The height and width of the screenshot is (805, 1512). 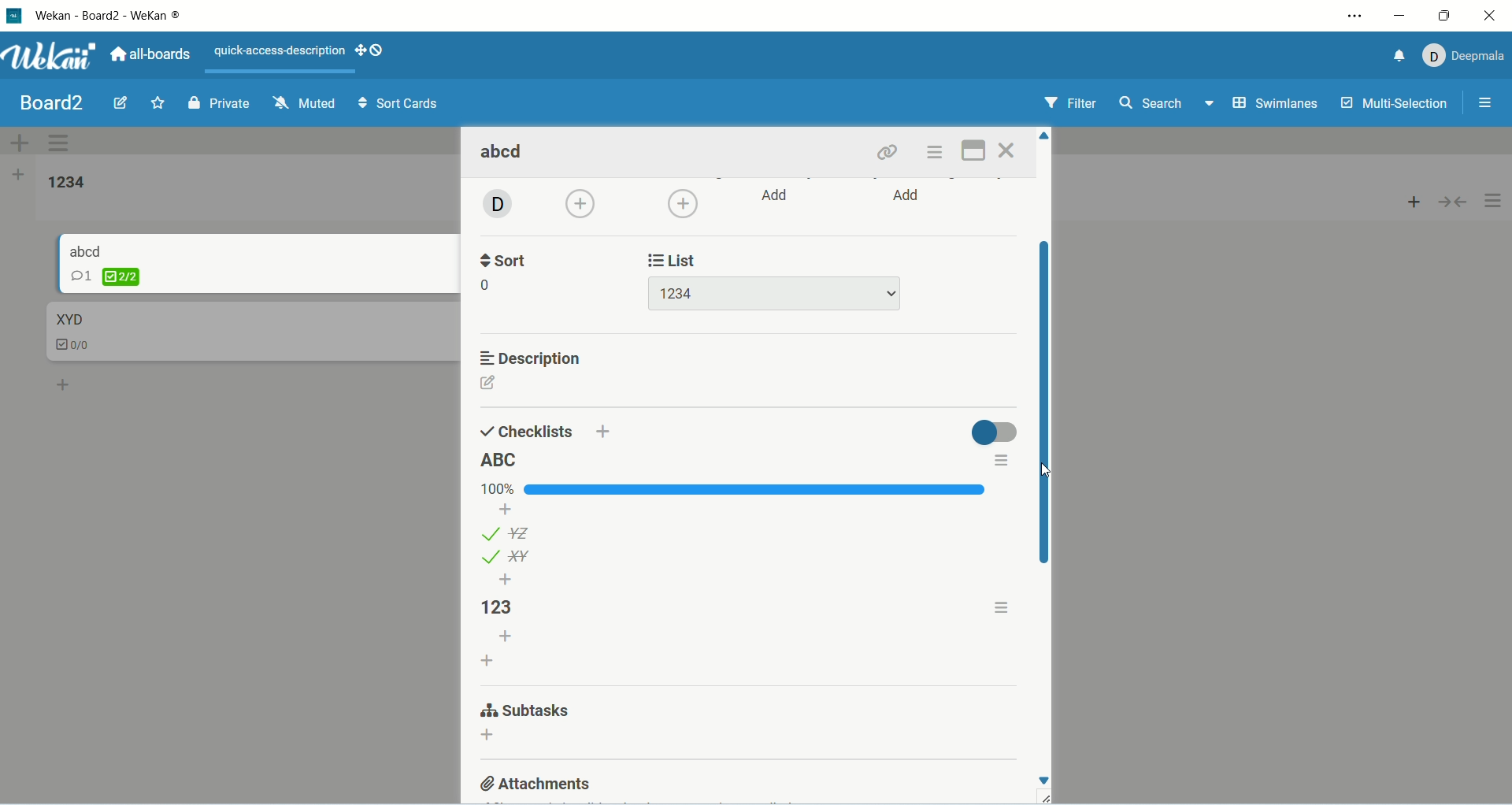 What do you see at coordinates (69, 183) in the screenshot?
I see `list title` at bounding box center [69, 183].